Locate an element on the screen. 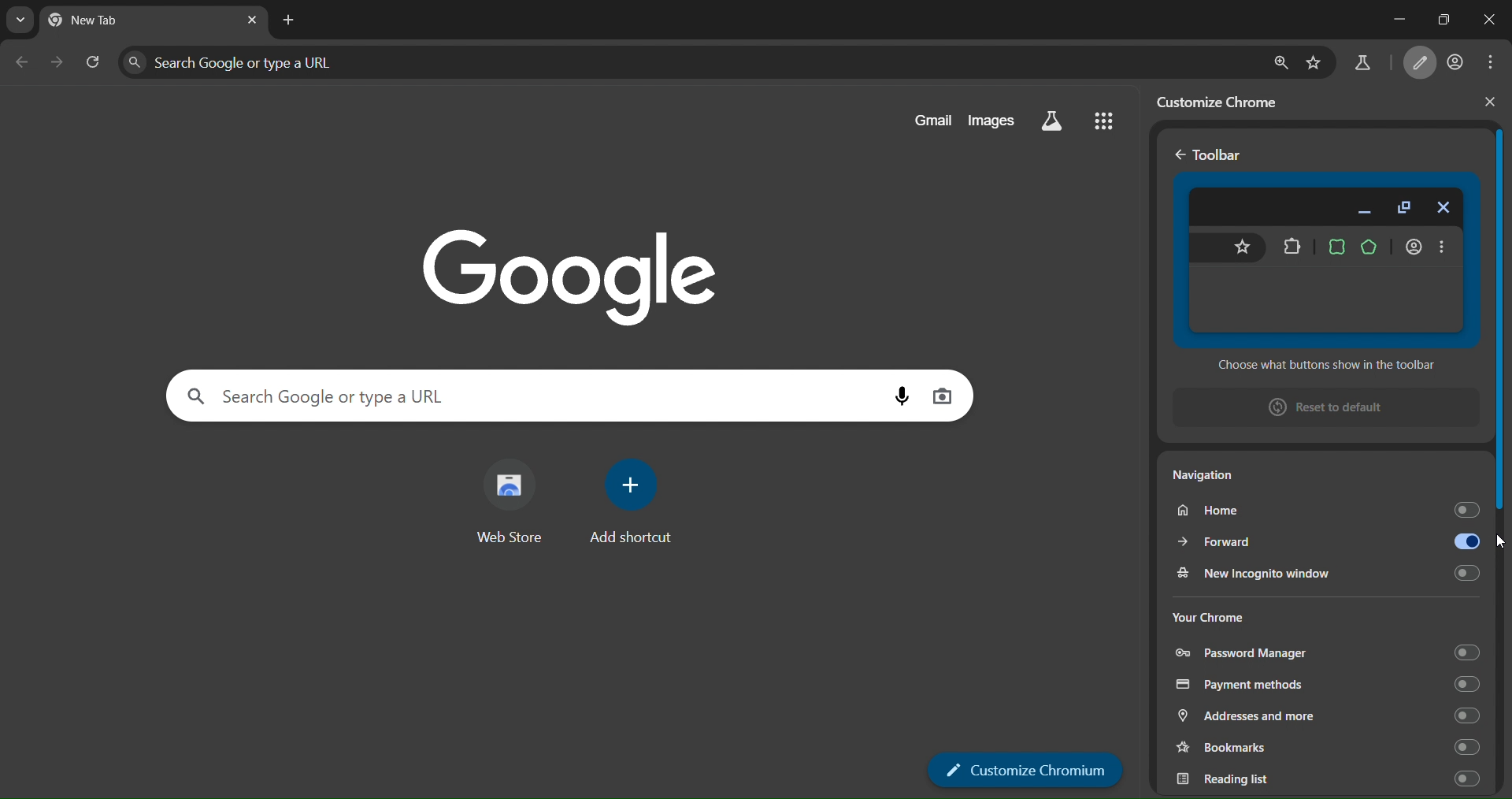  payments methods is located at coordinates (1326, 684).